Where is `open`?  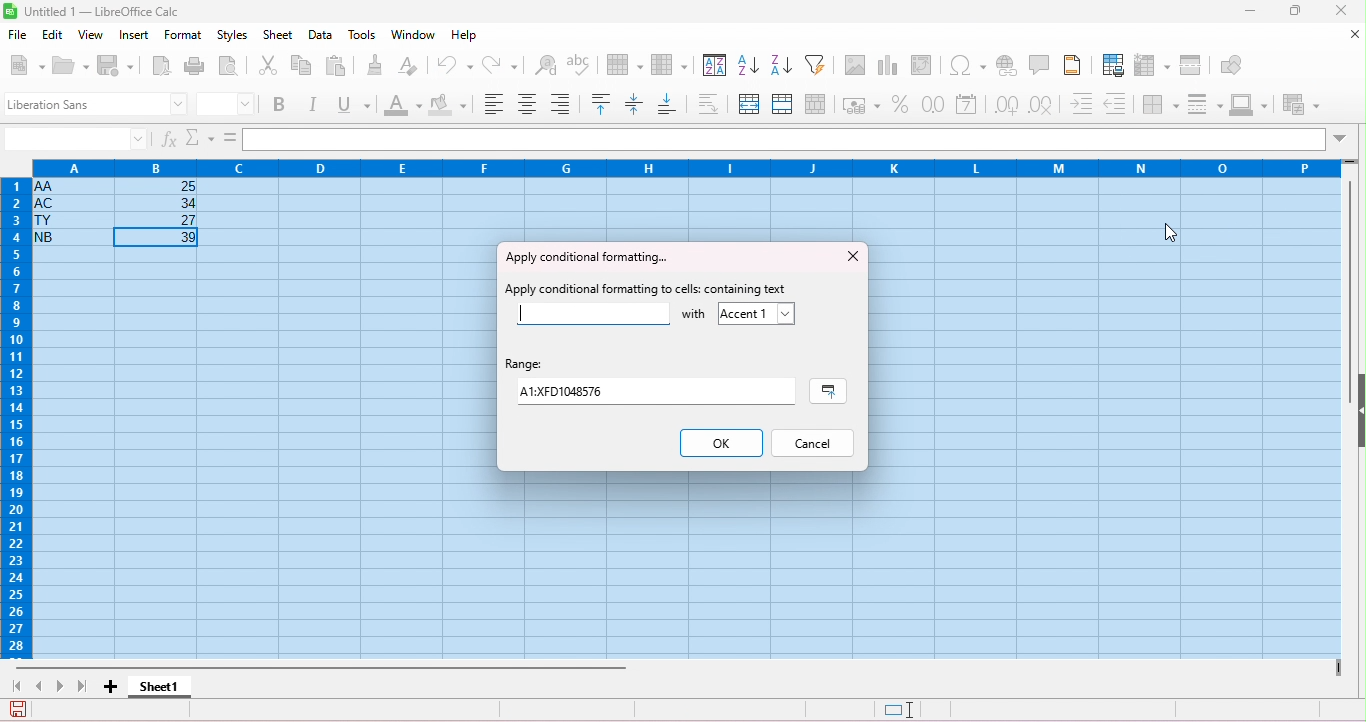
open is located at coordinates (71, 64).